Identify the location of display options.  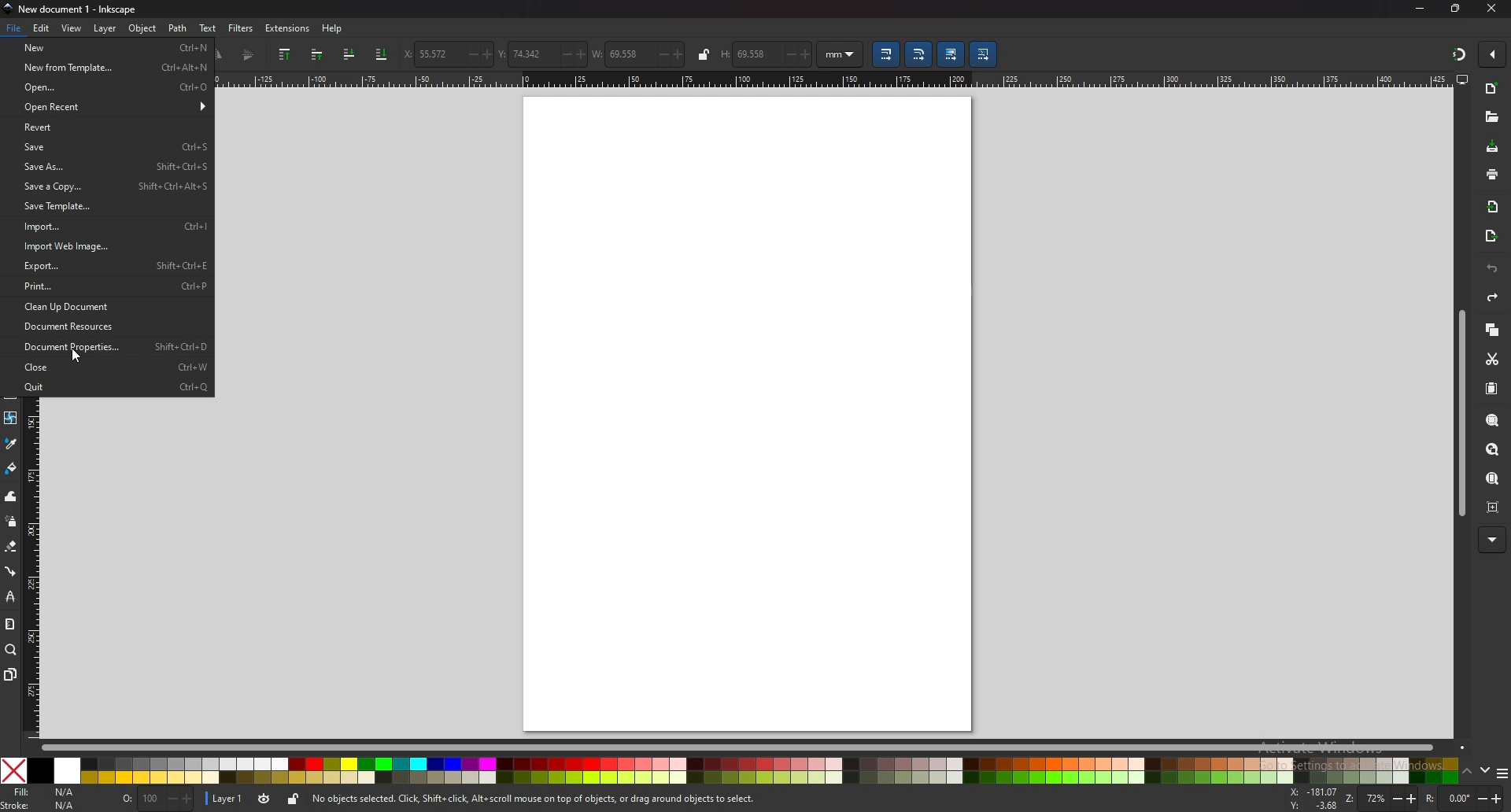
(1462, 79).